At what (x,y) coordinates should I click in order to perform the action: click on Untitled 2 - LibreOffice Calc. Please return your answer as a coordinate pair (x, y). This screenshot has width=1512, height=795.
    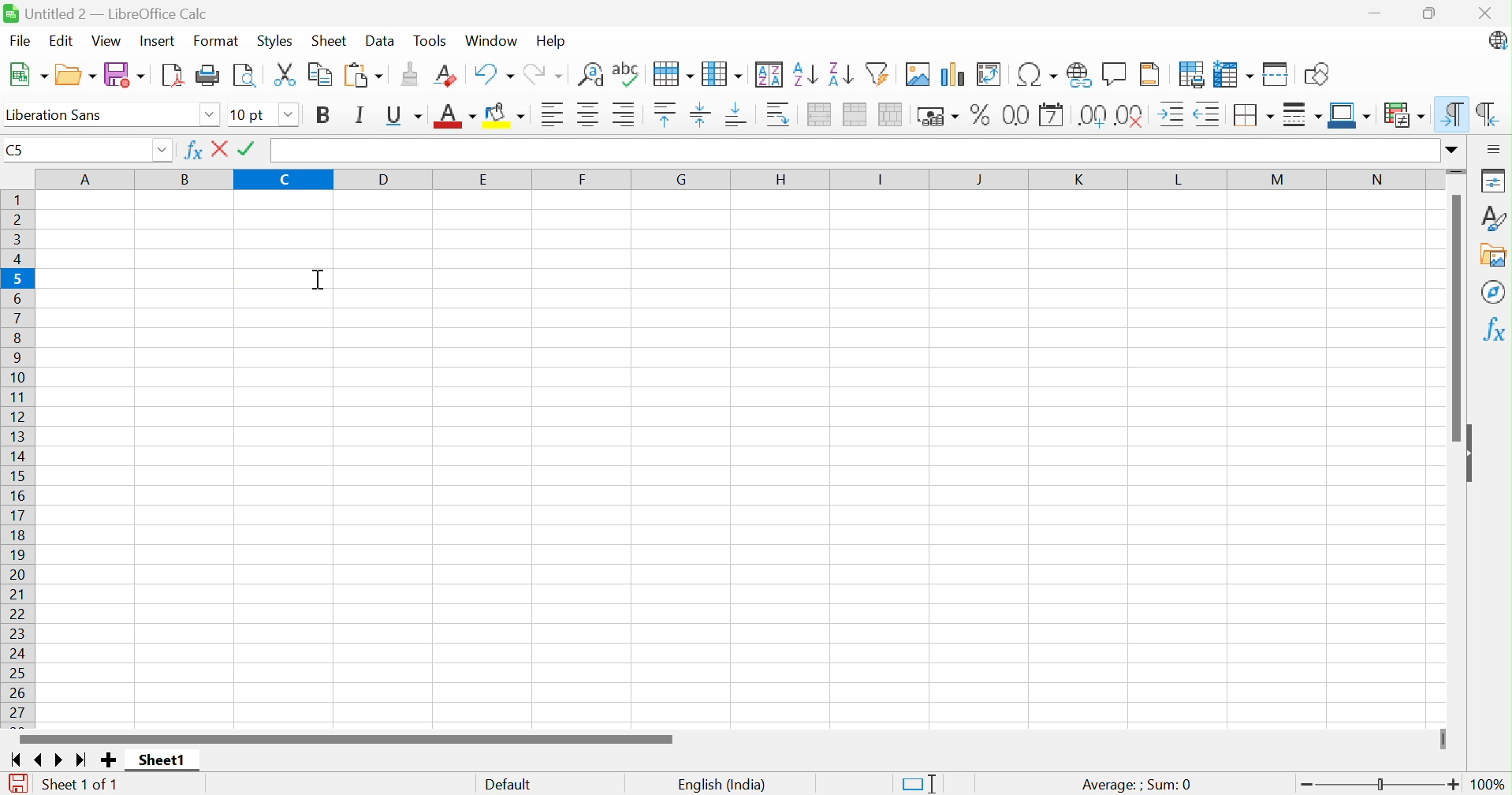
    Looking at the image, I should click on (106, 13).